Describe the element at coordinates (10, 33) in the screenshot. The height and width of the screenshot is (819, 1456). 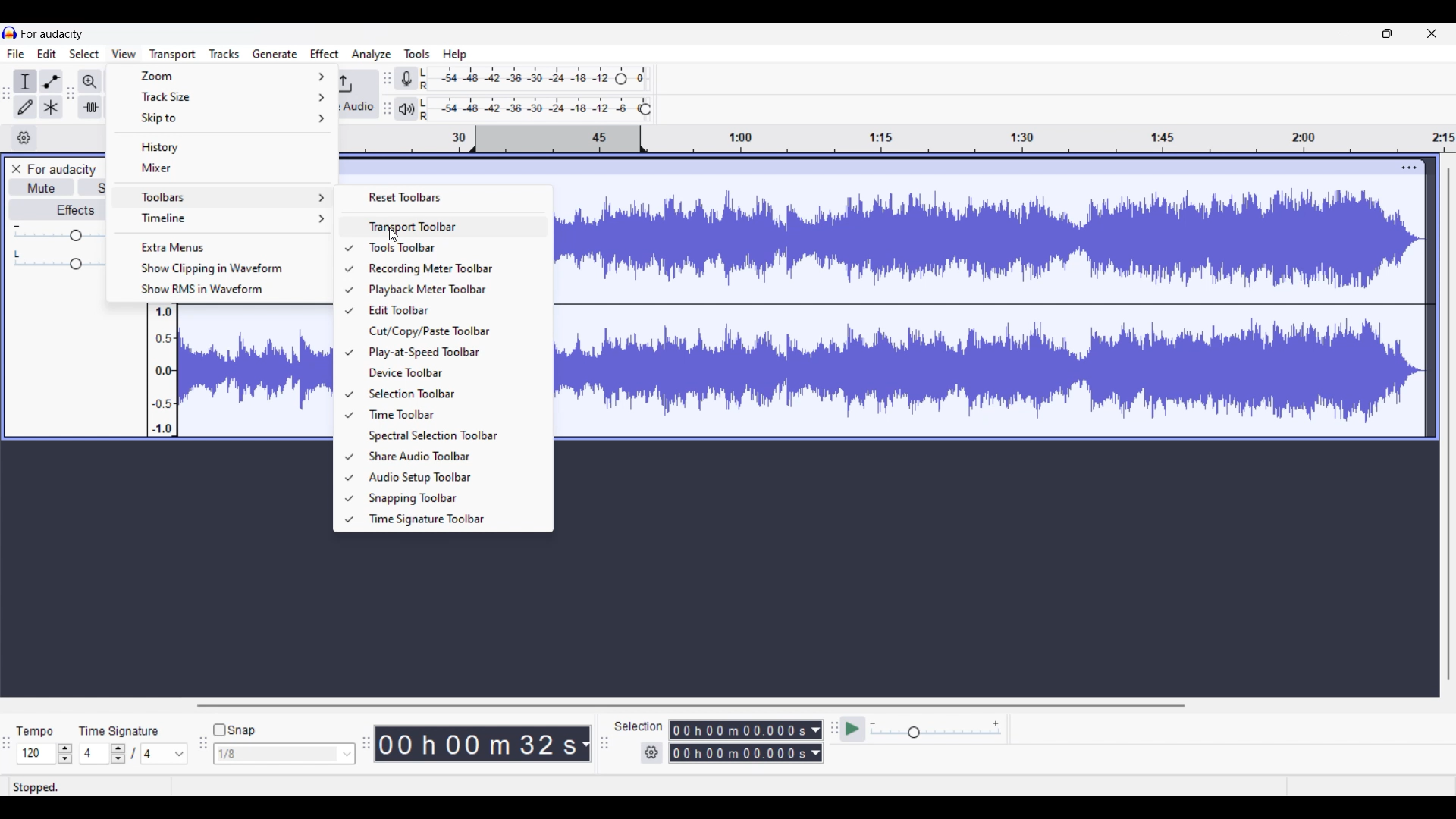
I see `Software logo` at that location.